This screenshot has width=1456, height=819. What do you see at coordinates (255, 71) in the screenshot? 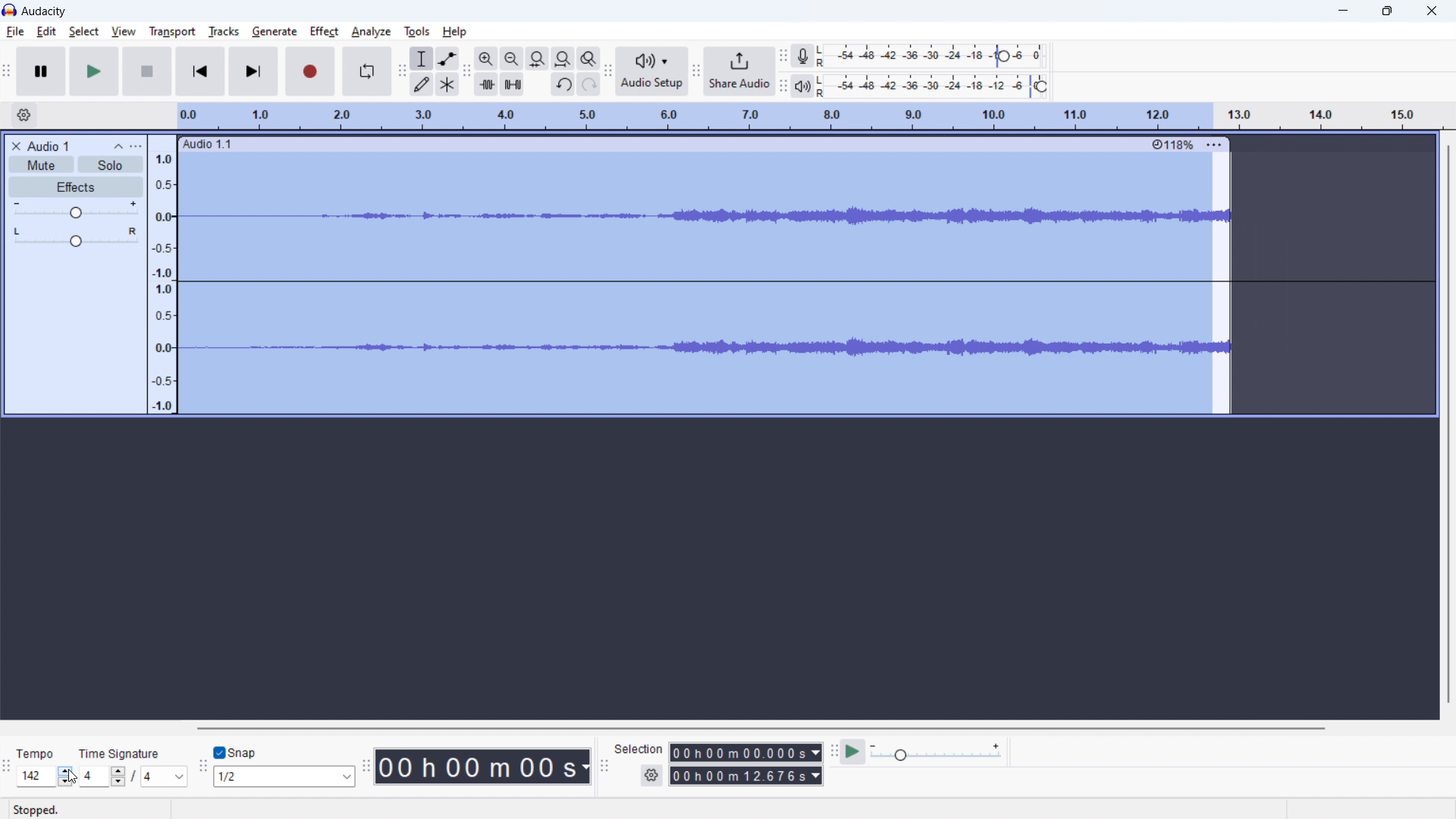
I see `skip to last` at bounding box center [255, 71].